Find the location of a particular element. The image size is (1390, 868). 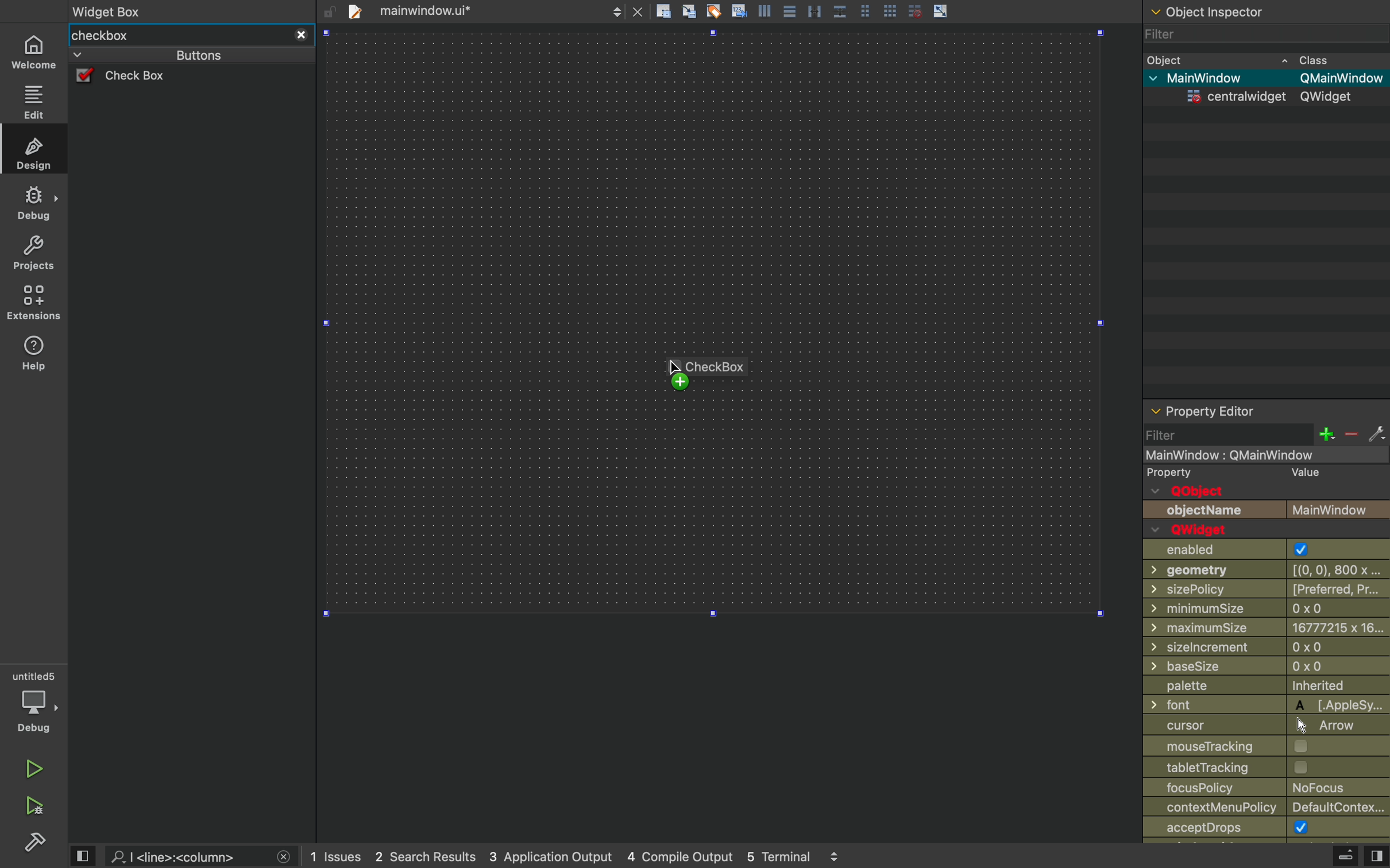

cursor is located at coordinates (676, 373).